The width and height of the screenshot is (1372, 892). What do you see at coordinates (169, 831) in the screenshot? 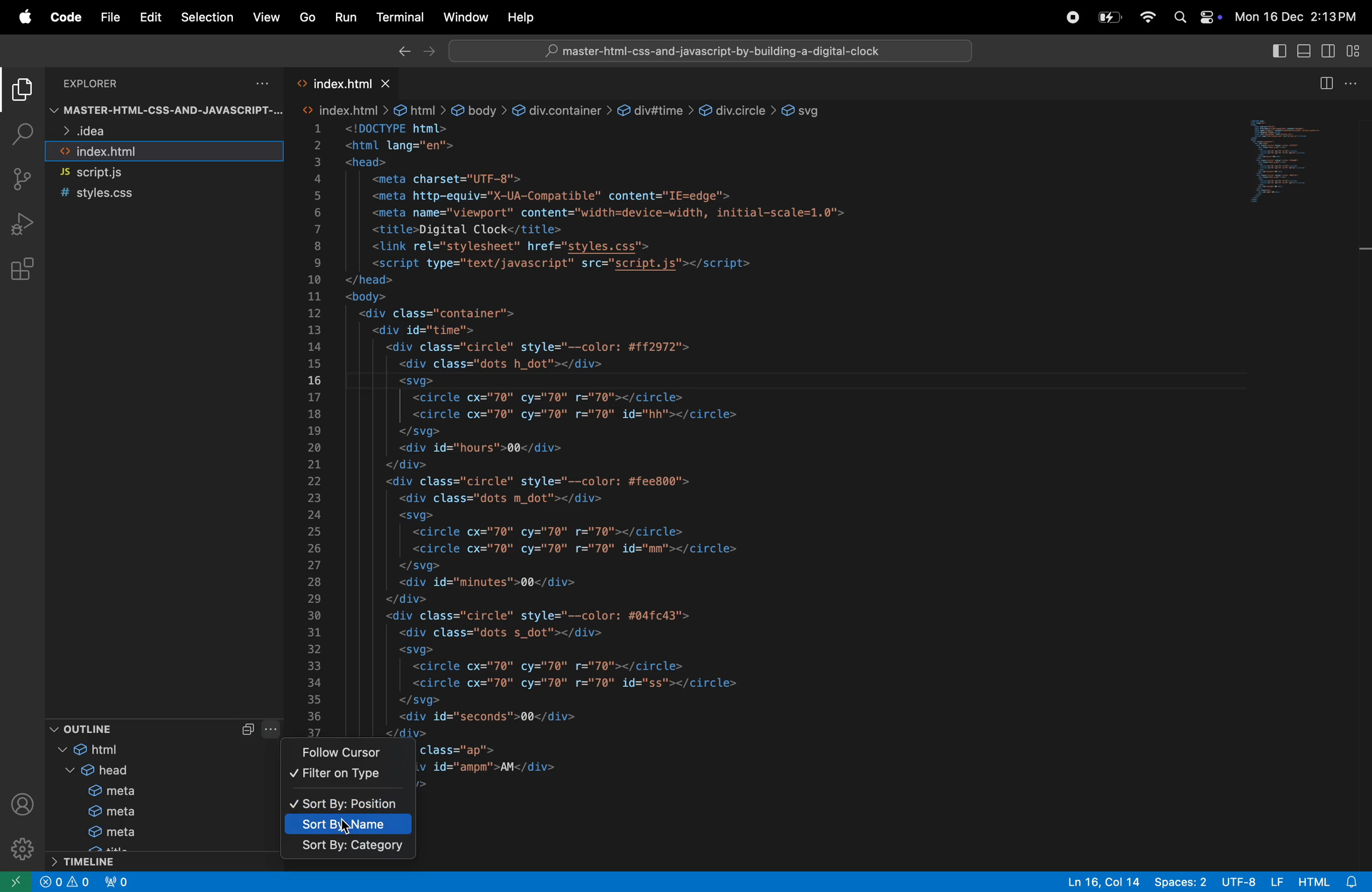
I see `meta` at bounding box center [169, 831].